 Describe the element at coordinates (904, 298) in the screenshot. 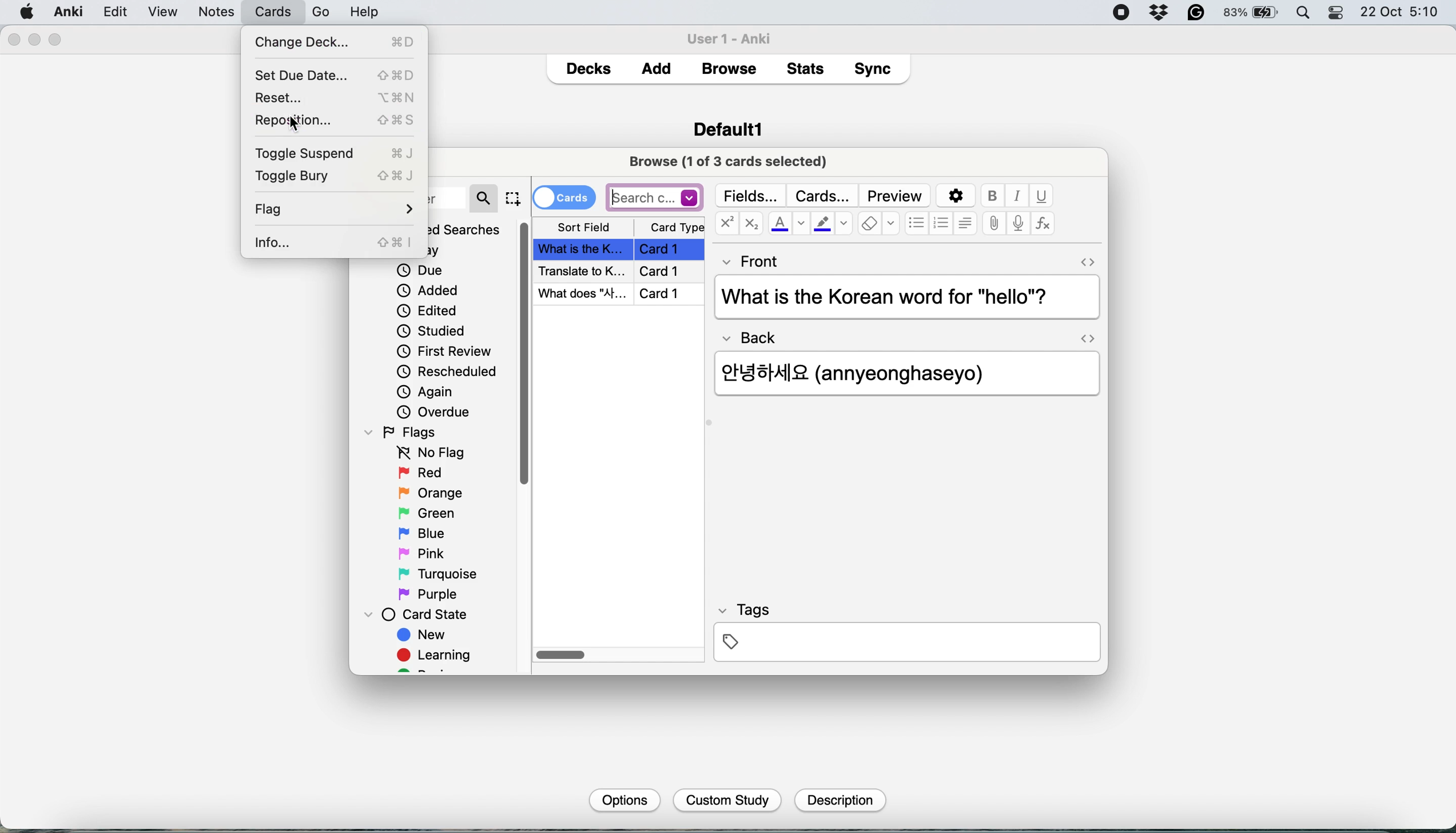

I see `What is the Korean word for "hello"?` at that location.